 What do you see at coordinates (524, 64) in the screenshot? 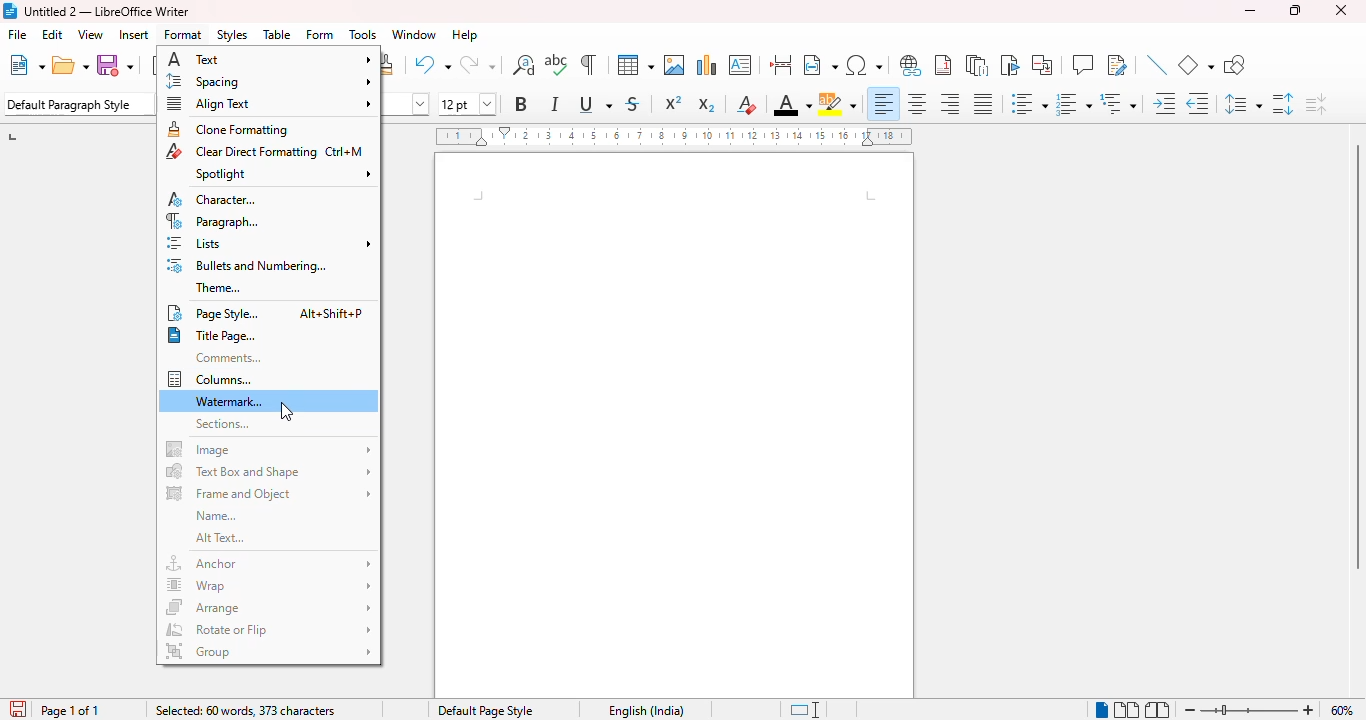
I see `find and replace` at bounding box center [524, 64].